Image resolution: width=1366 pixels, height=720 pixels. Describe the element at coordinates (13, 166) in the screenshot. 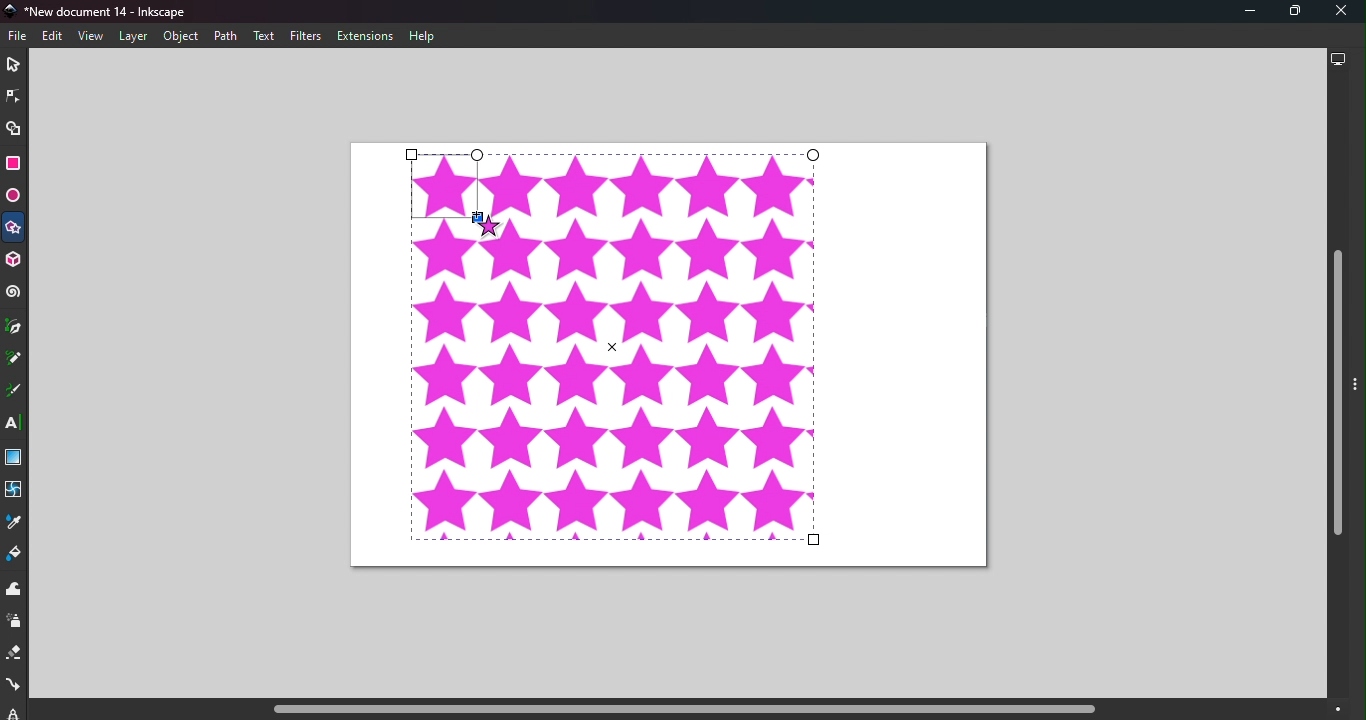

I see `Rectangle tool` at that location.